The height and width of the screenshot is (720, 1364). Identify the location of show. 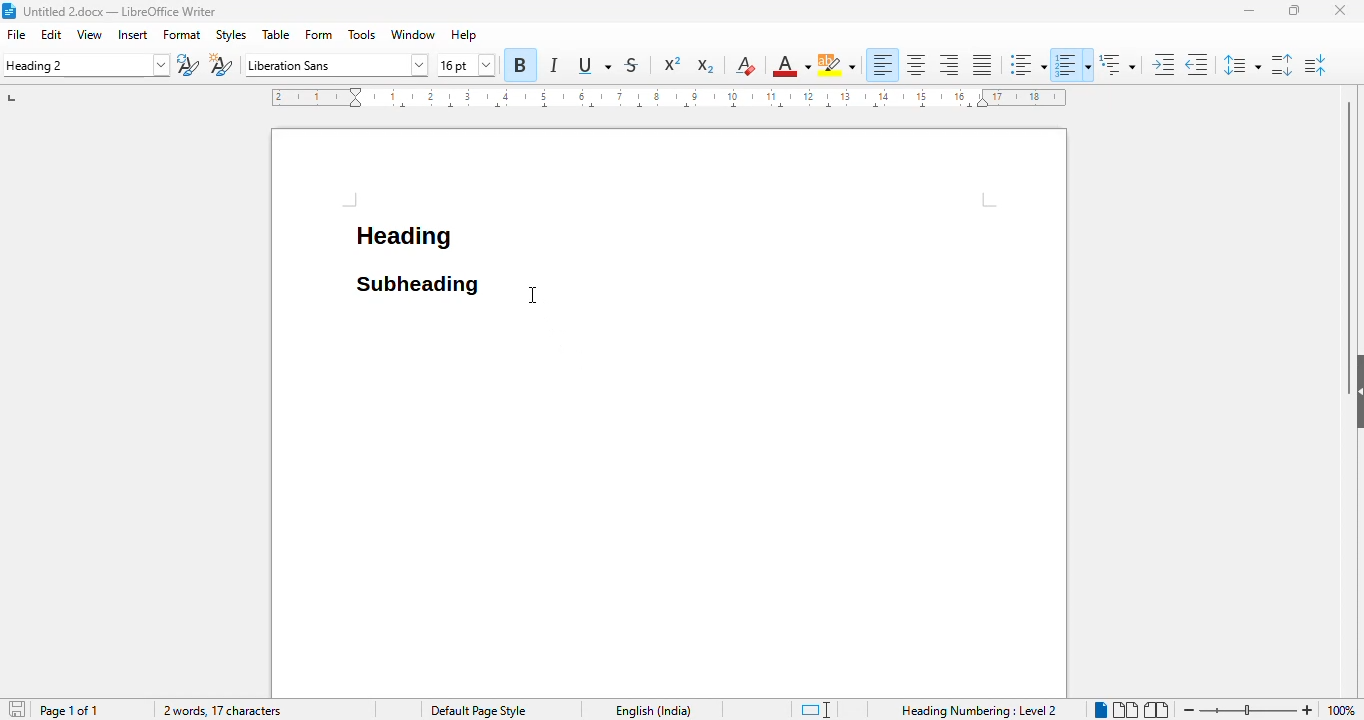
(1355, 387).